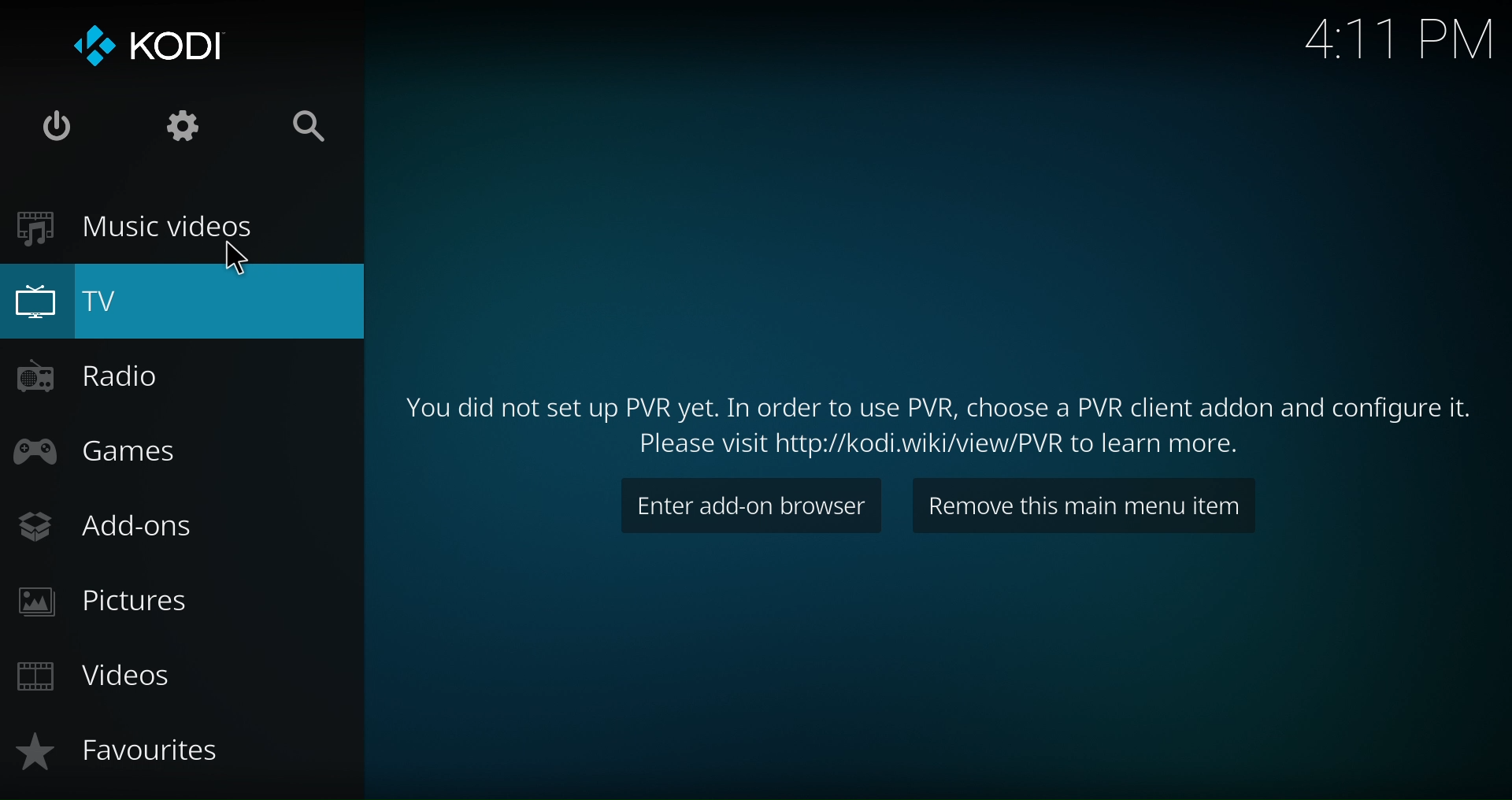 The image size is (1512, 800). I want to click on TV, so click(181, 301).